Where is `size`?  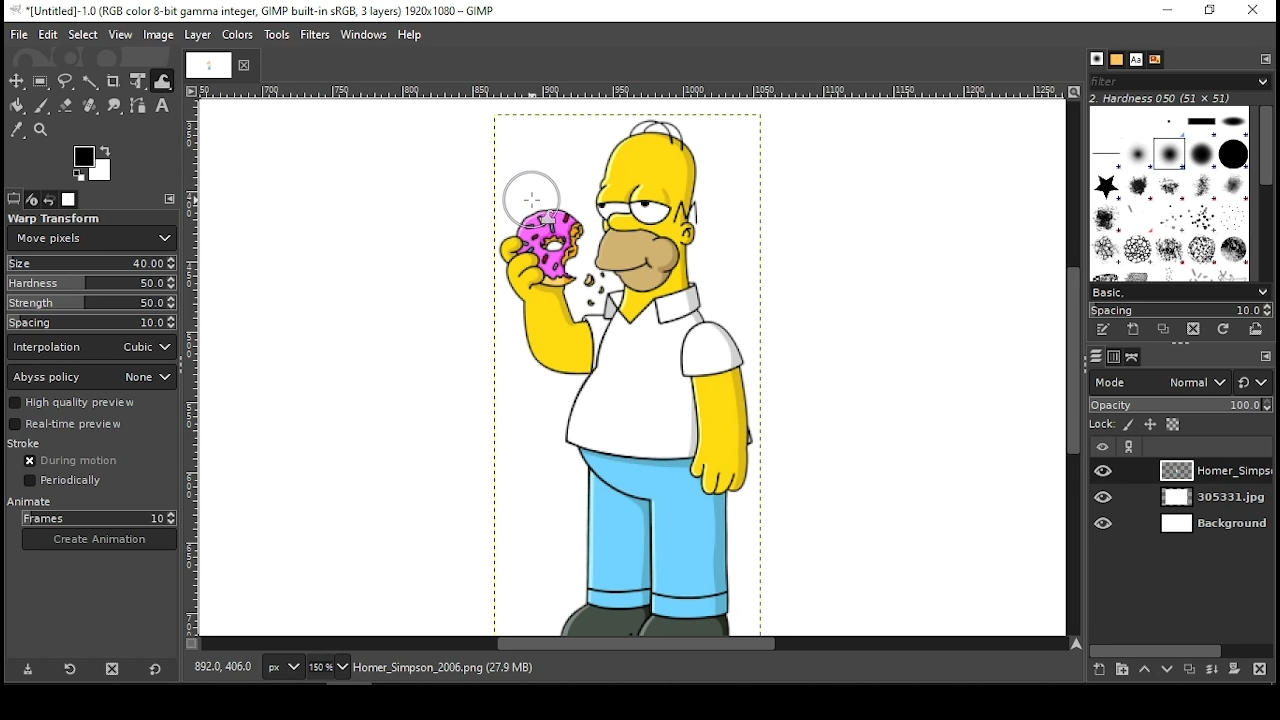 size is located at coordinates (91, 263).